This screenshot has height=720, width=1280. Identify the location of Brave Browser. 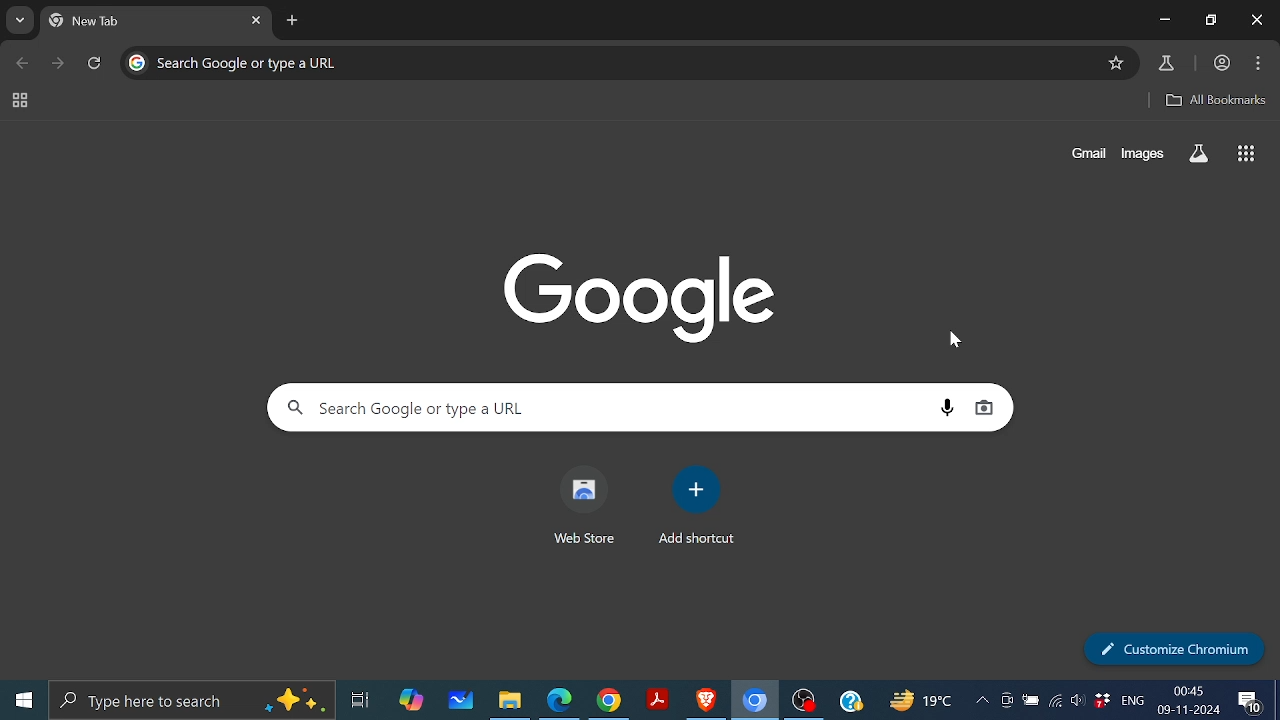
(706, 701).